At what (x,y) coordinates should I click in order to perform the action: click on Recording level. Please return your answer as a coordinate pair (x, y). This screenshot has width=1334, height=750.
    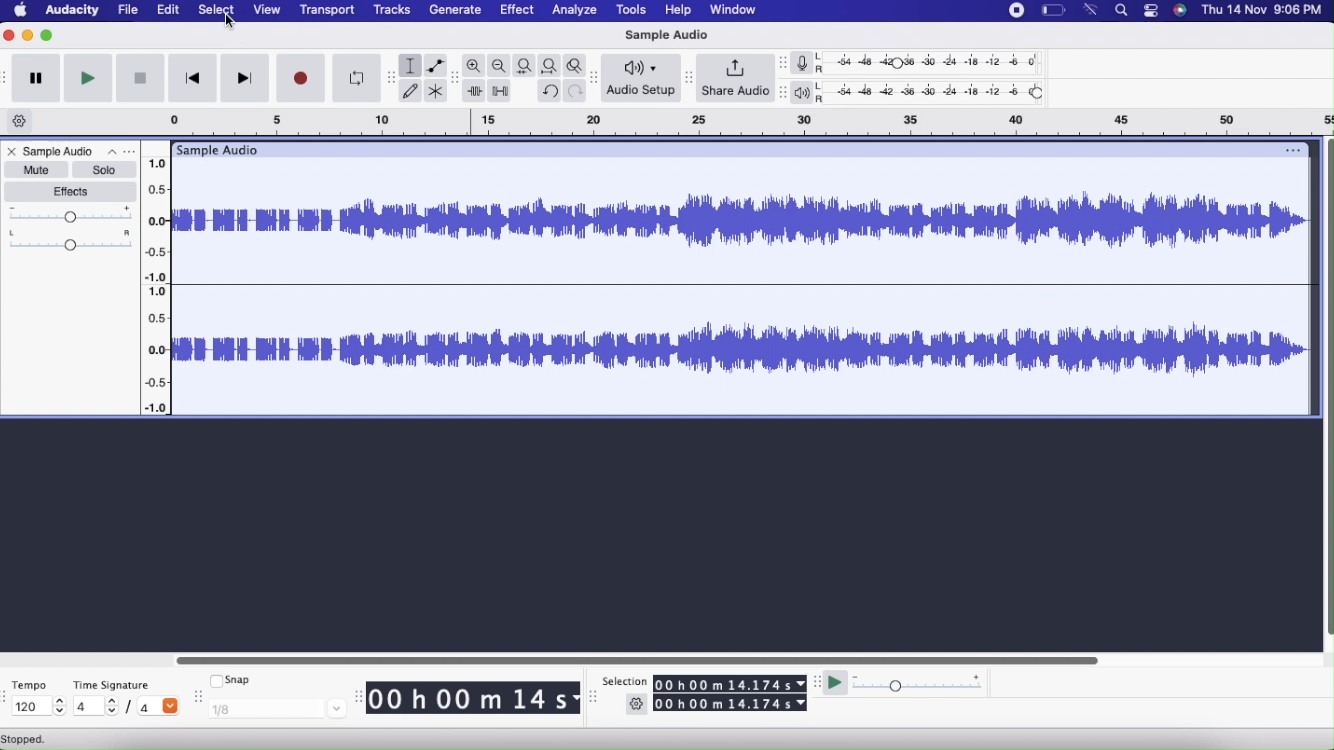
    Looking at the image, I should click on (935, 61).